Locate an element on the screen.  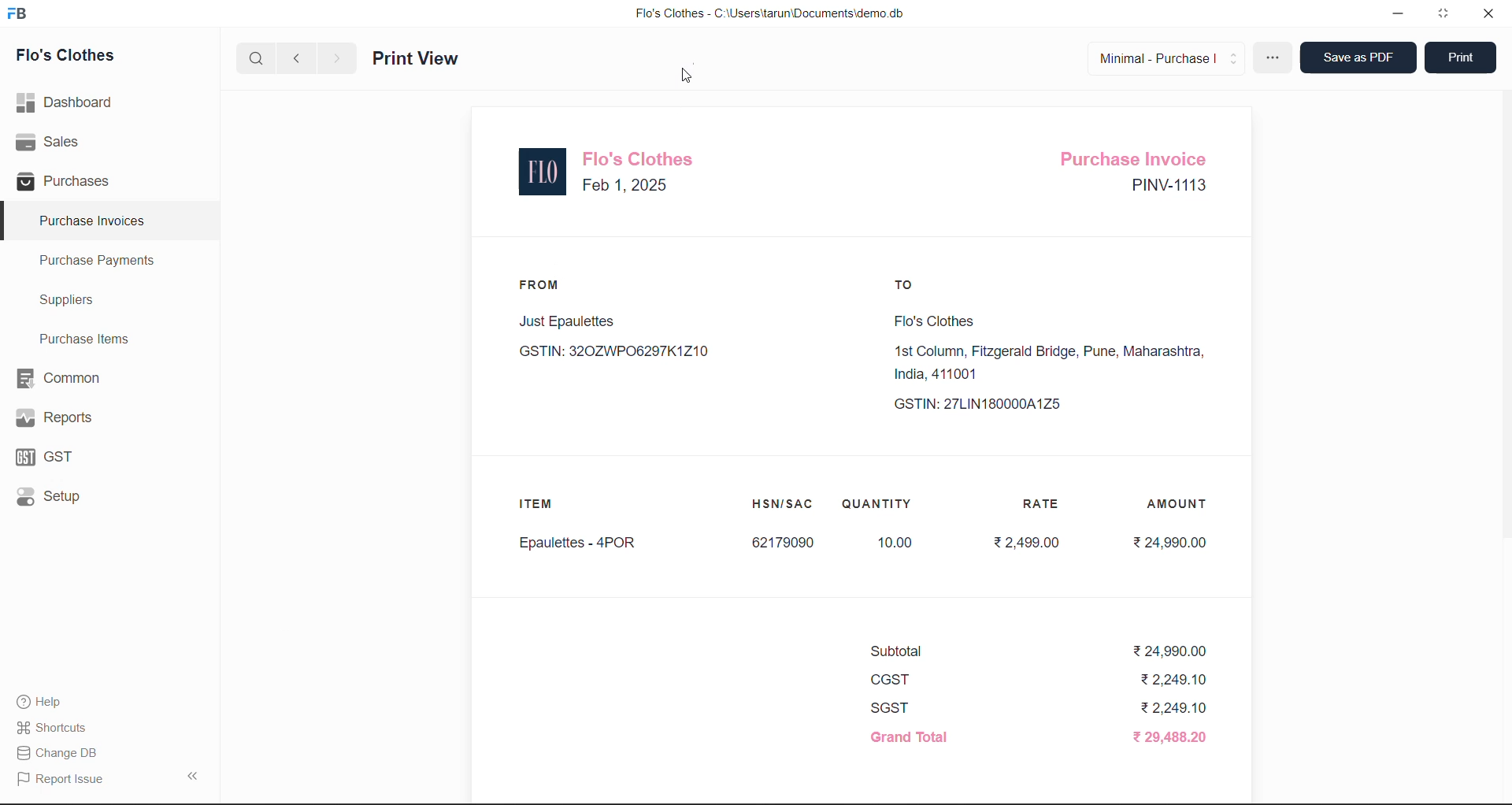
FROM is located at coordinates (547, 283).